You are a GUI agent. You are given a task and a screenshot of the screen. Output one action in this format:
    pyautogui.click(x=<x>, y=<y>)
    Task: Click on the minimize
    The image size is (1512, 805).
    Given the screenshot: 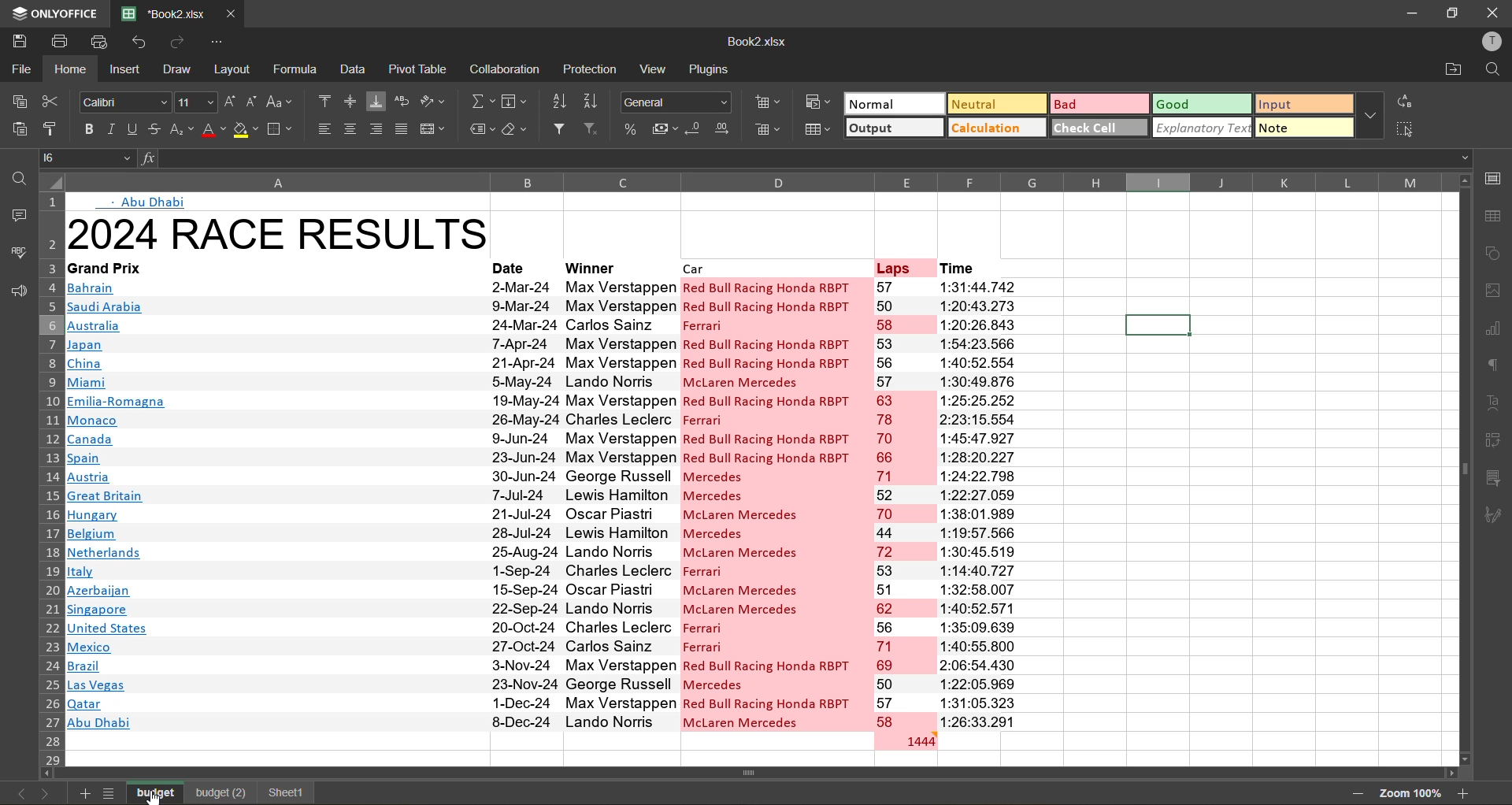 What is the action you would take?
    pyautogui.click(x=1408, y=12)
    